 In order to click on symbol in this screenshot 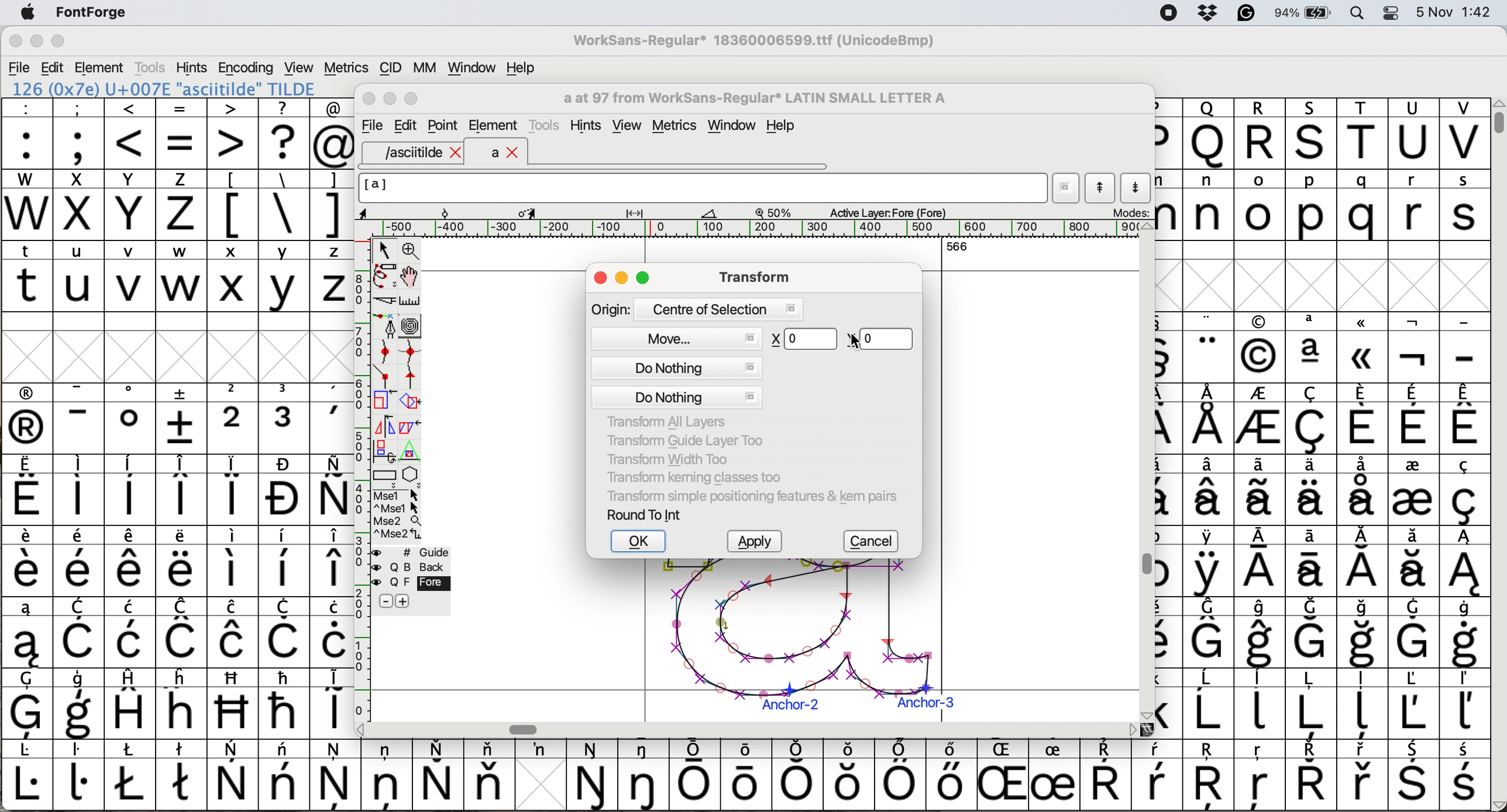, I will do `click(1312, 562)`.